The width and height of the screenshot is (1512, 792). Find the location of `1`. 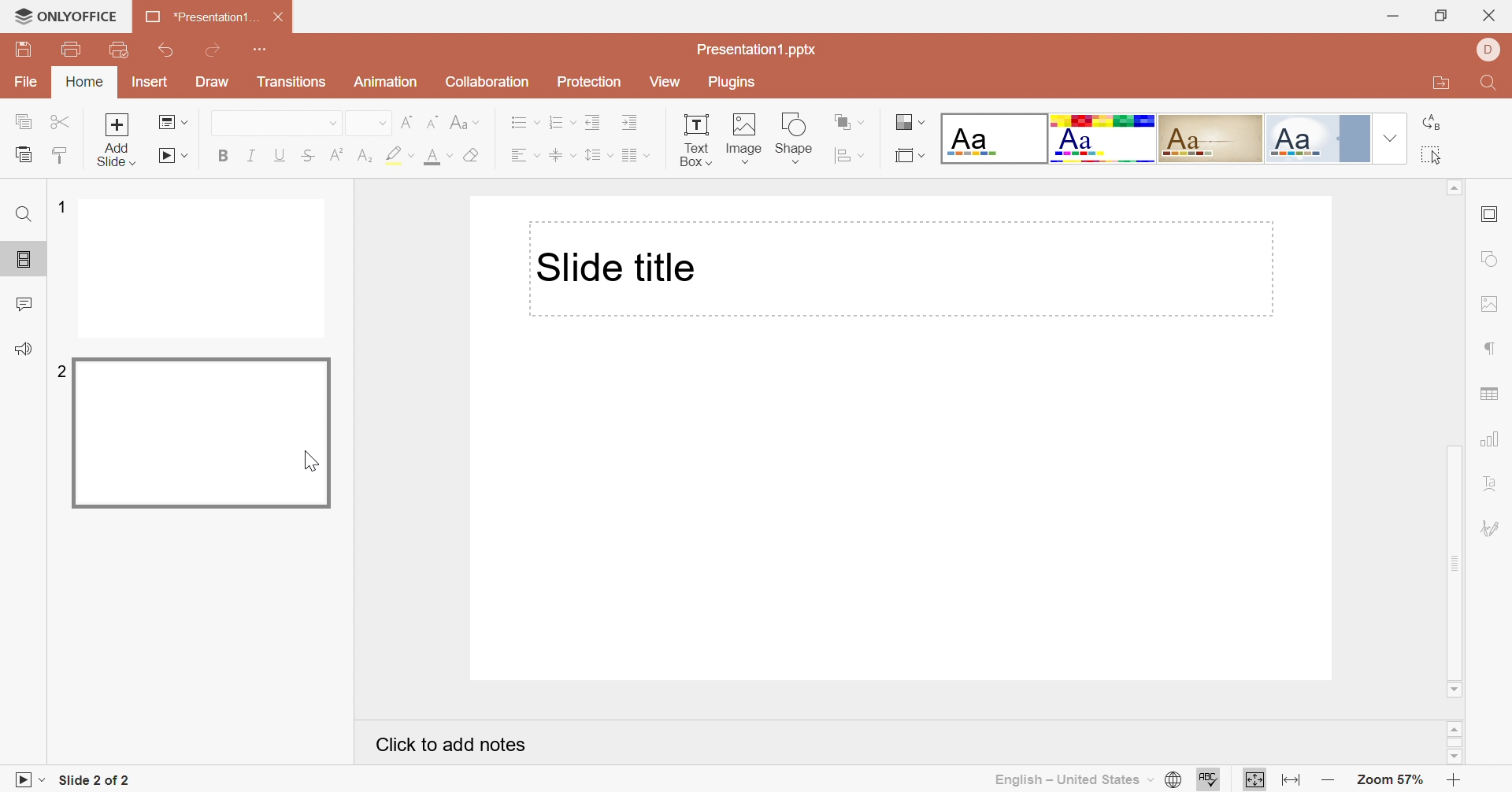

1 is located at coordinates (62, 206).